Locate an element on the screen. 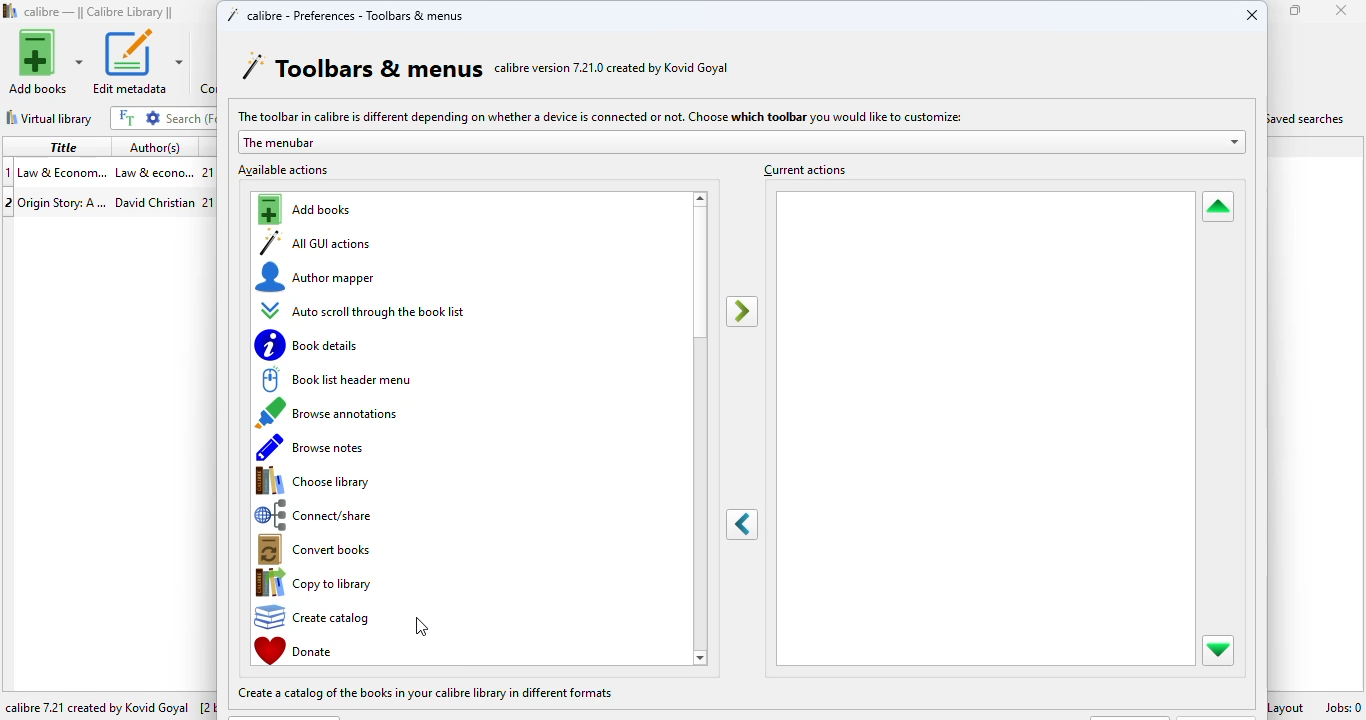 The width and height of the screenshot is (1366, 720). maximize is located at coordinates (1296, 10).